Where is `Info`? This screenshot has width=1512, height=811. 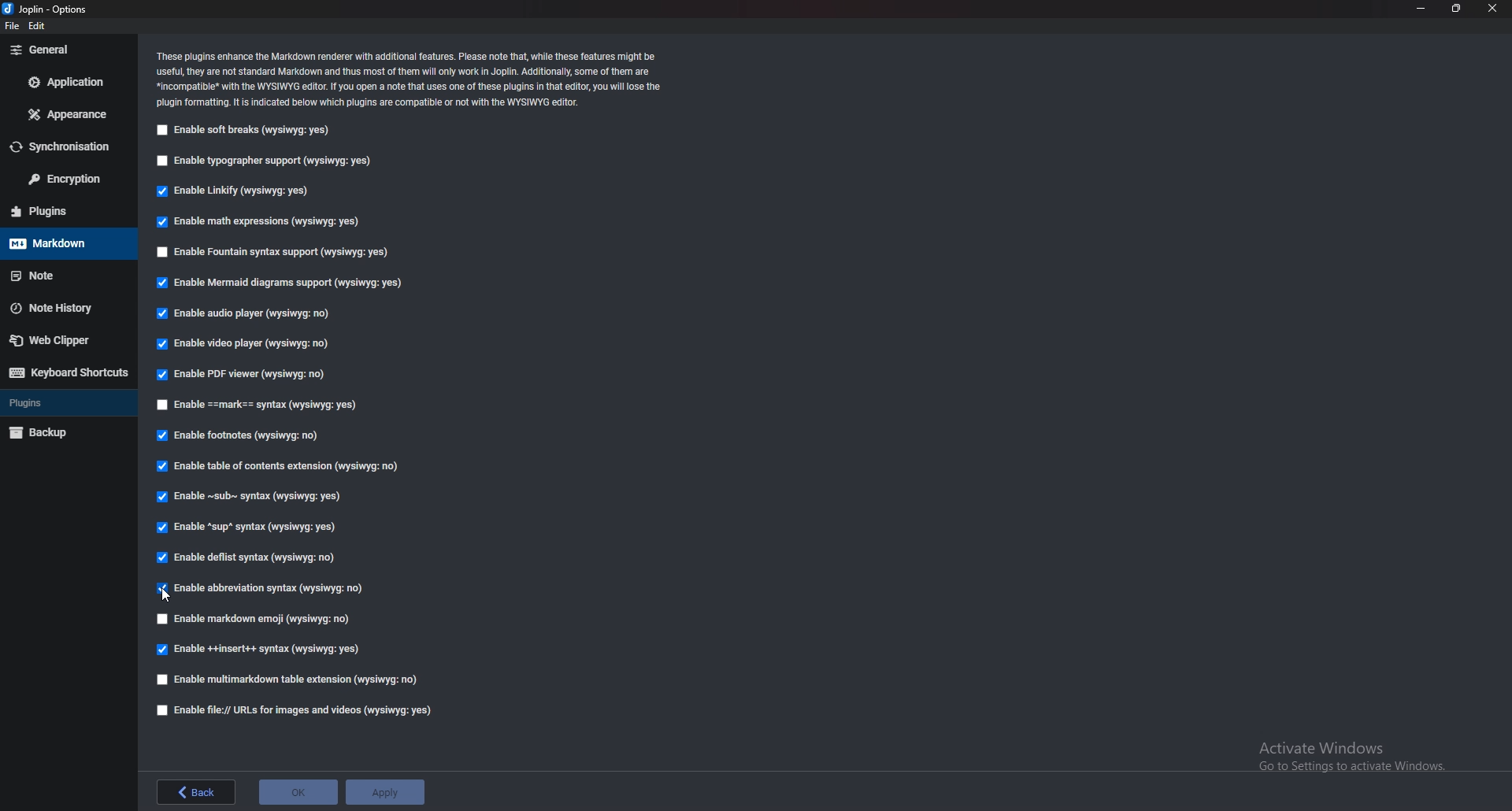
Info is located at coordinates (413, 79).